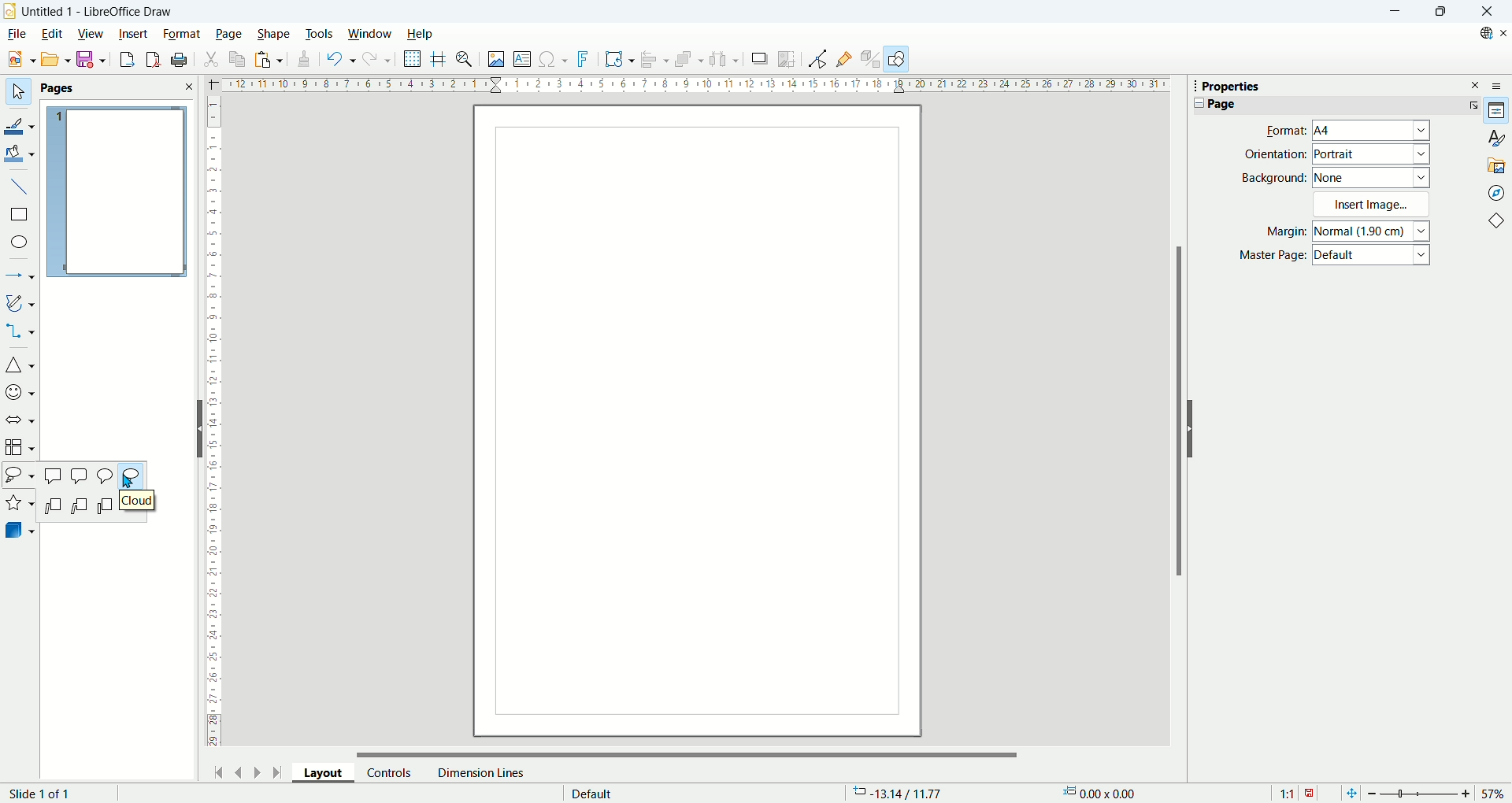  Describe the element at coordinates (1470, 105) in the screenshot. I see `More Options` at that location.